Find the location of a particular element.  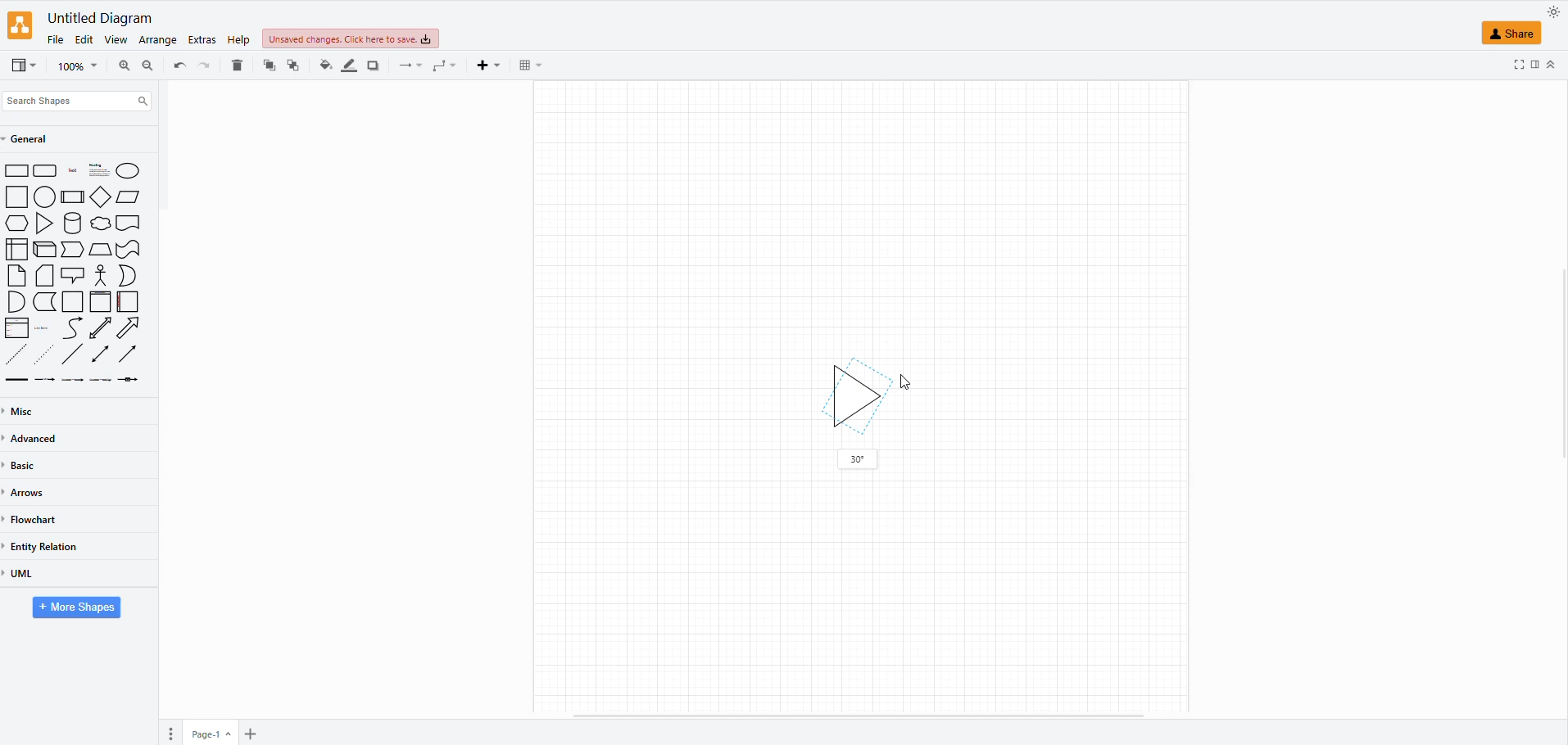

uml is located at coordinates (25, 574).